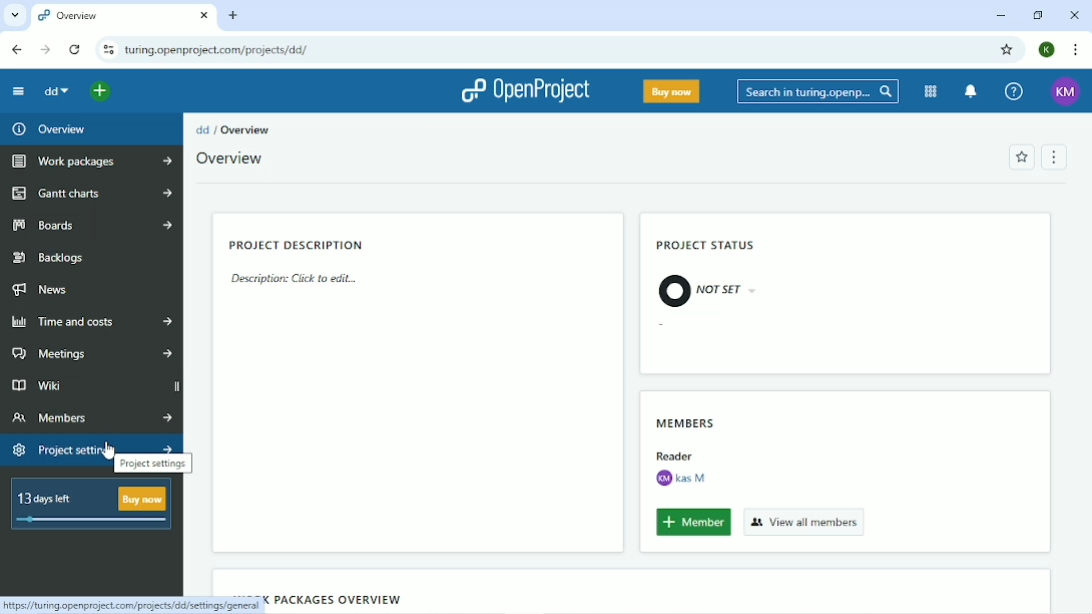 Image resolution: width=1092 pixels, height=614 pixels. Describe the element at coordinates (91, 418) in the screenshot. I see `Members` at that location.